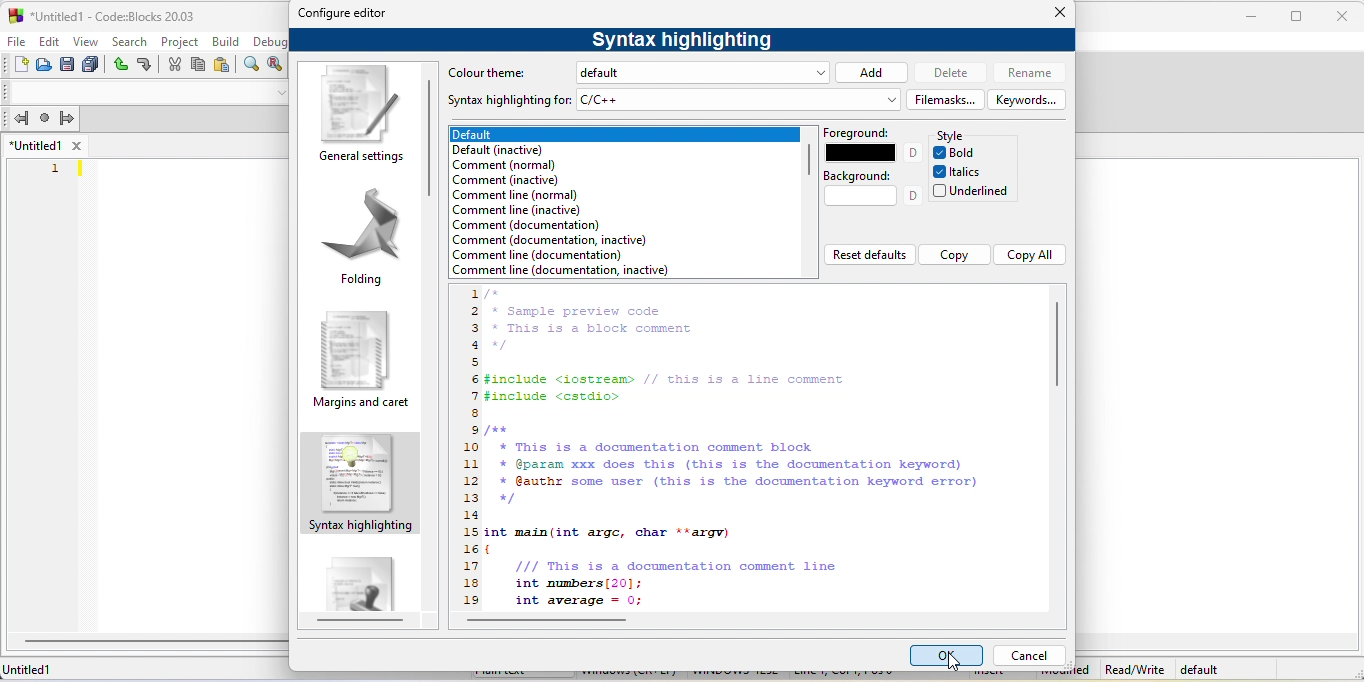  Describe the element at coordinates (130, 41) in the screenshot. I see `search` at that location.